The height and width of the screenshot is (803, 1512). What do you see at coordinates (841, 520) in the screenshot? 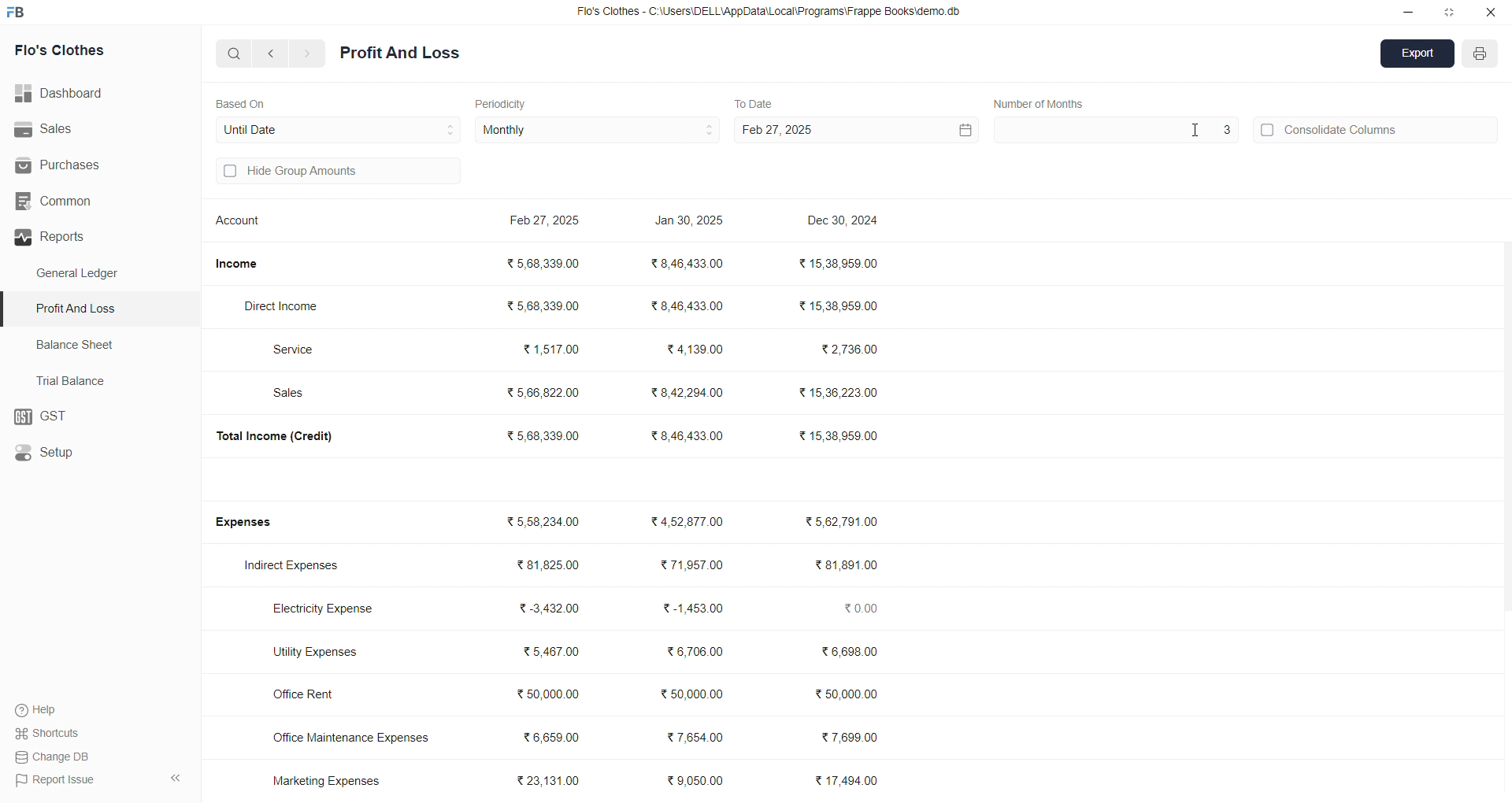
I see `₹5,62,791.00` at bounding box center [841, 520].